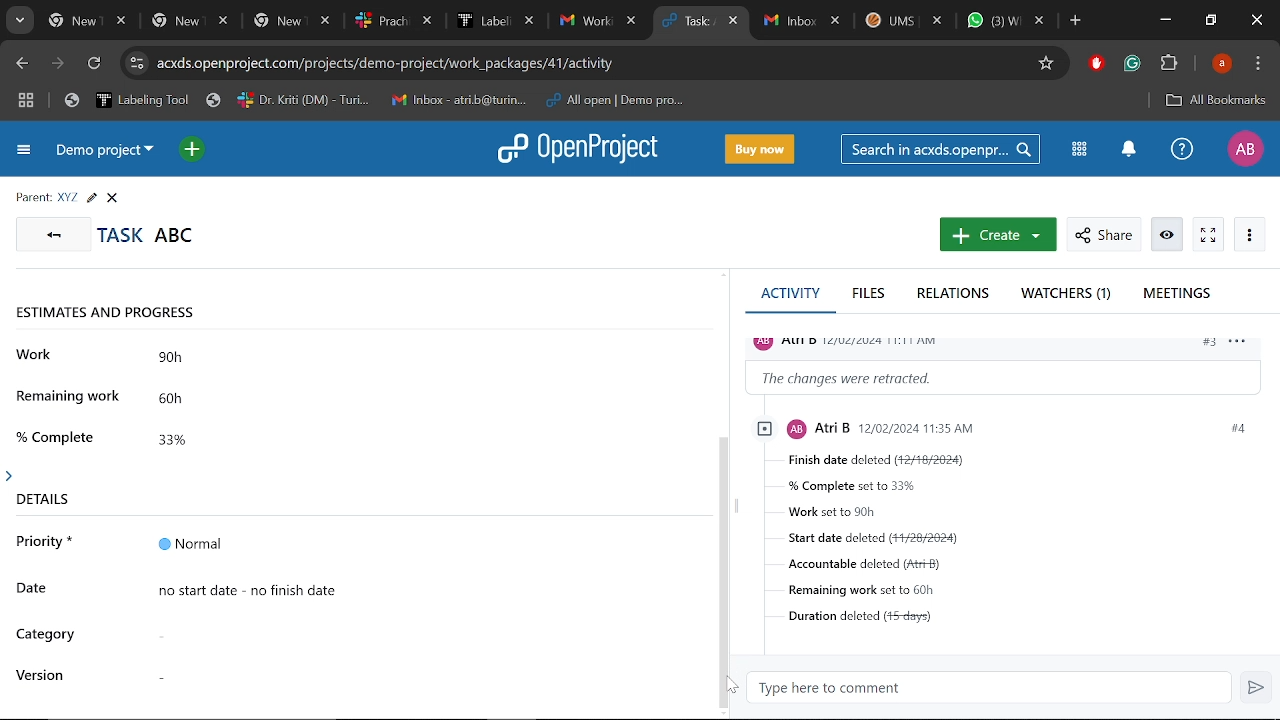  Describe the element at coordinates (23, 64) in the screenshot. I see `Previous page` at that location.